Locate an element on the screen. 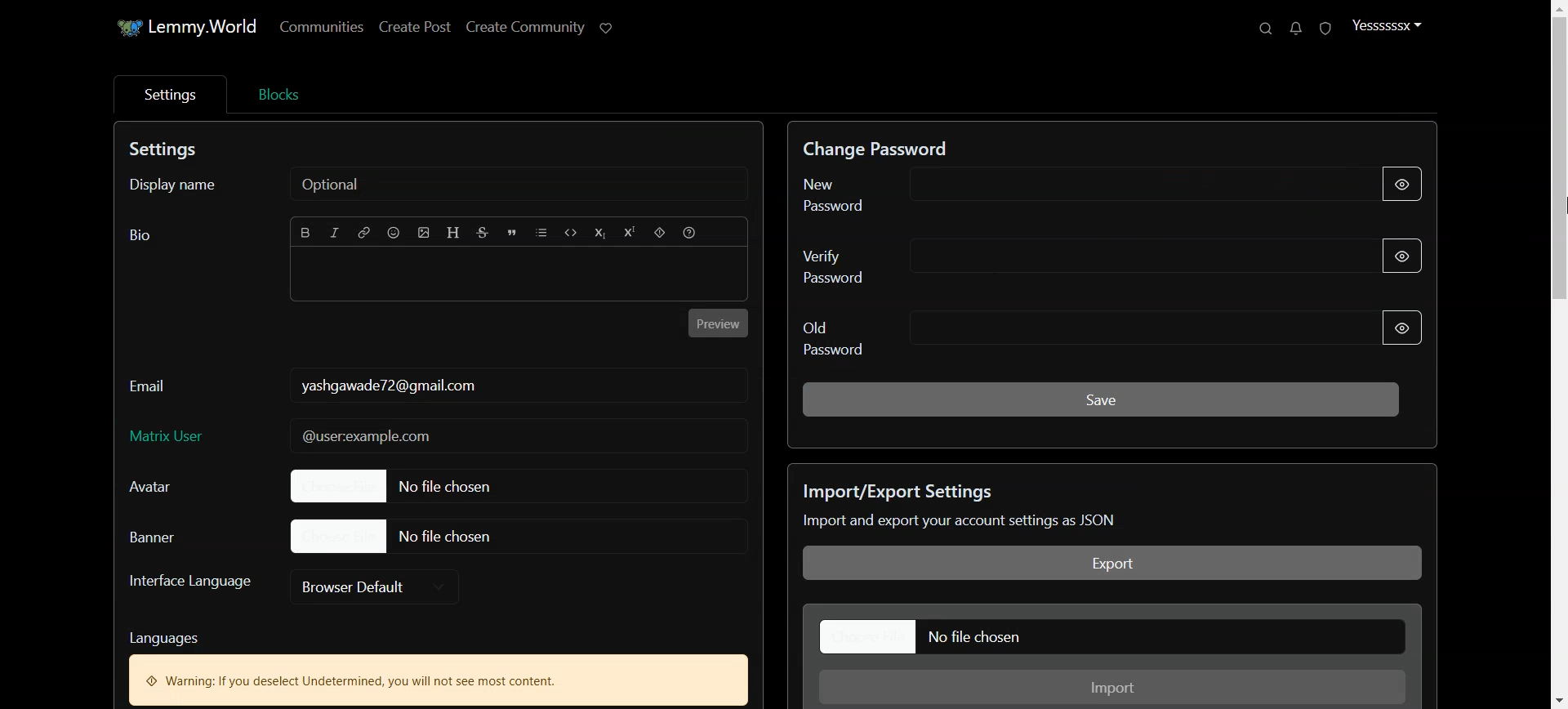 Image resolution: width=1568 pixels, height=709 pixels. Subscript is located at coordinates (600, 233).